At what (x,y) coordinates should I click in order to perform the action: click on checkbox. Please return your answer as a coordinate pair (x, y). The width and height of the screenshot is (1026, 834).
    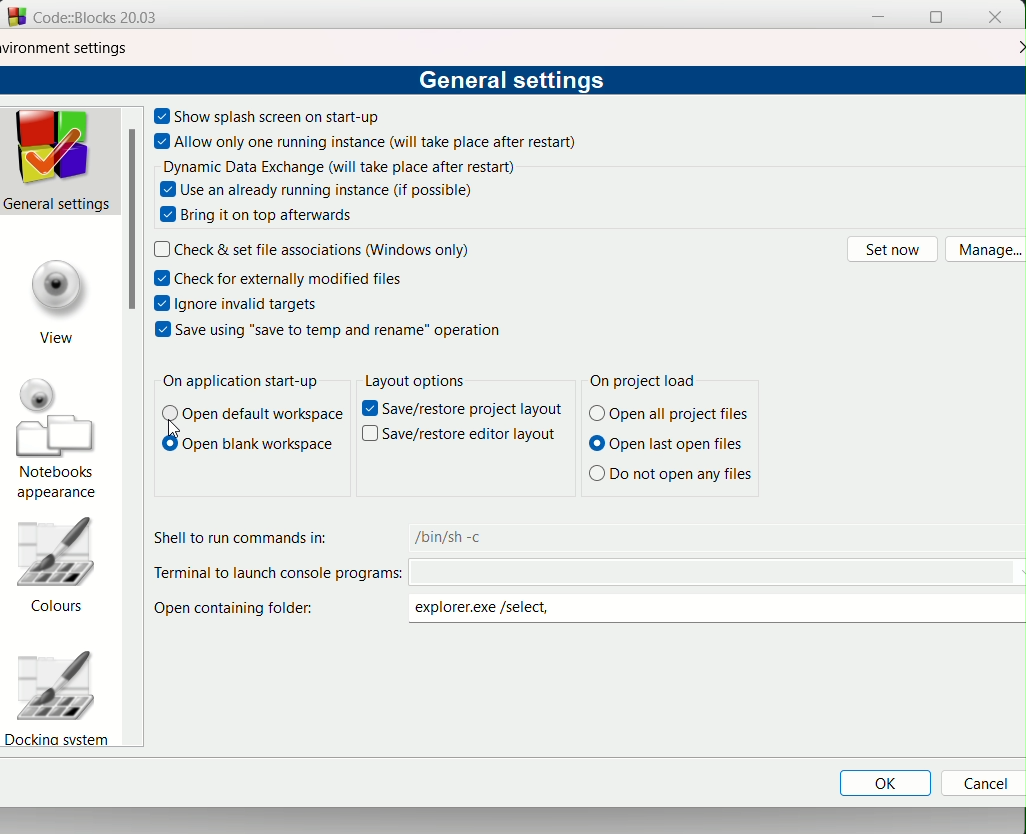
    Looking at the image, I should click on (168, 189).